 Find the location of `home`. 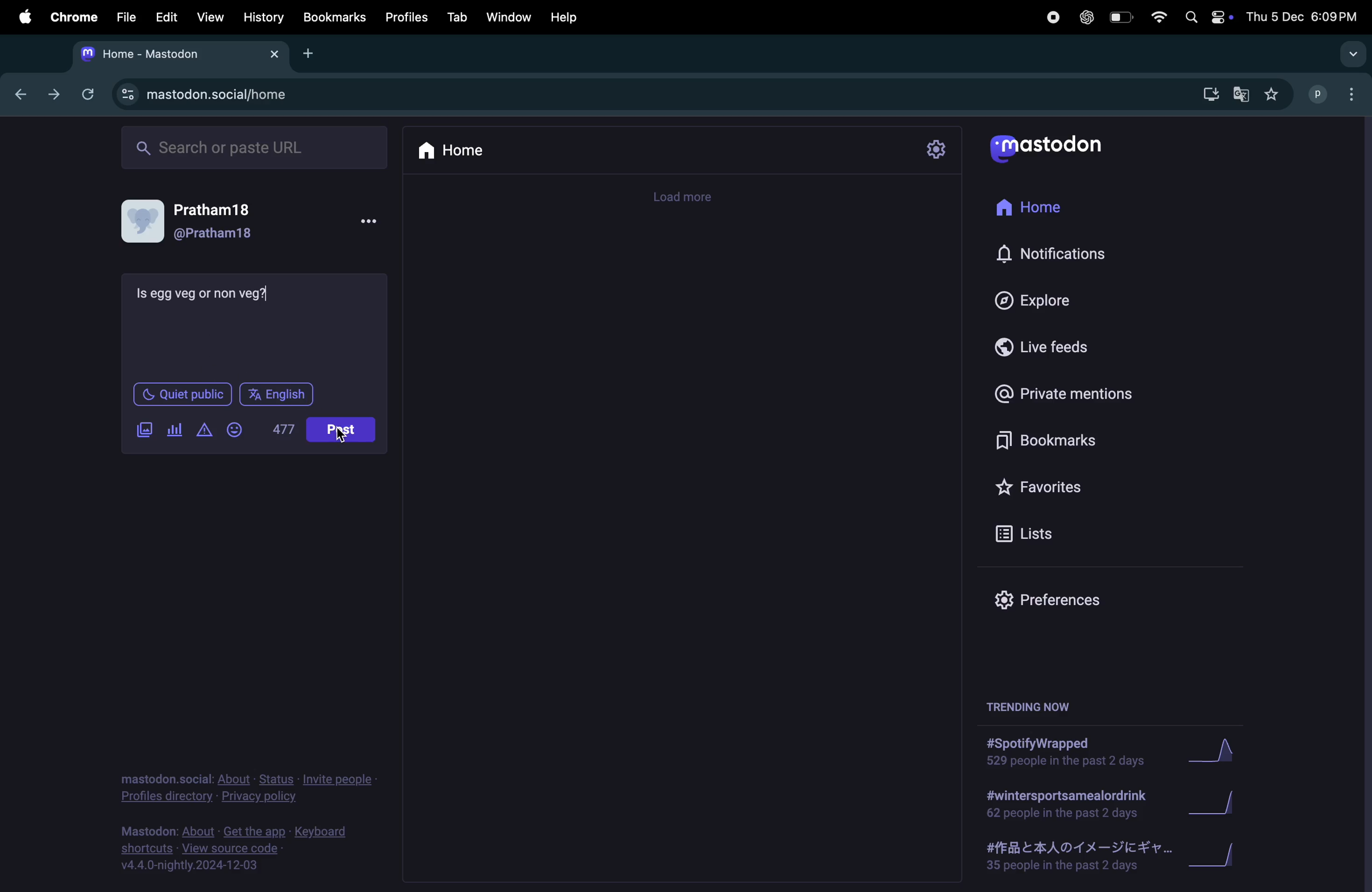

home is located at coordinates (1041, 206).